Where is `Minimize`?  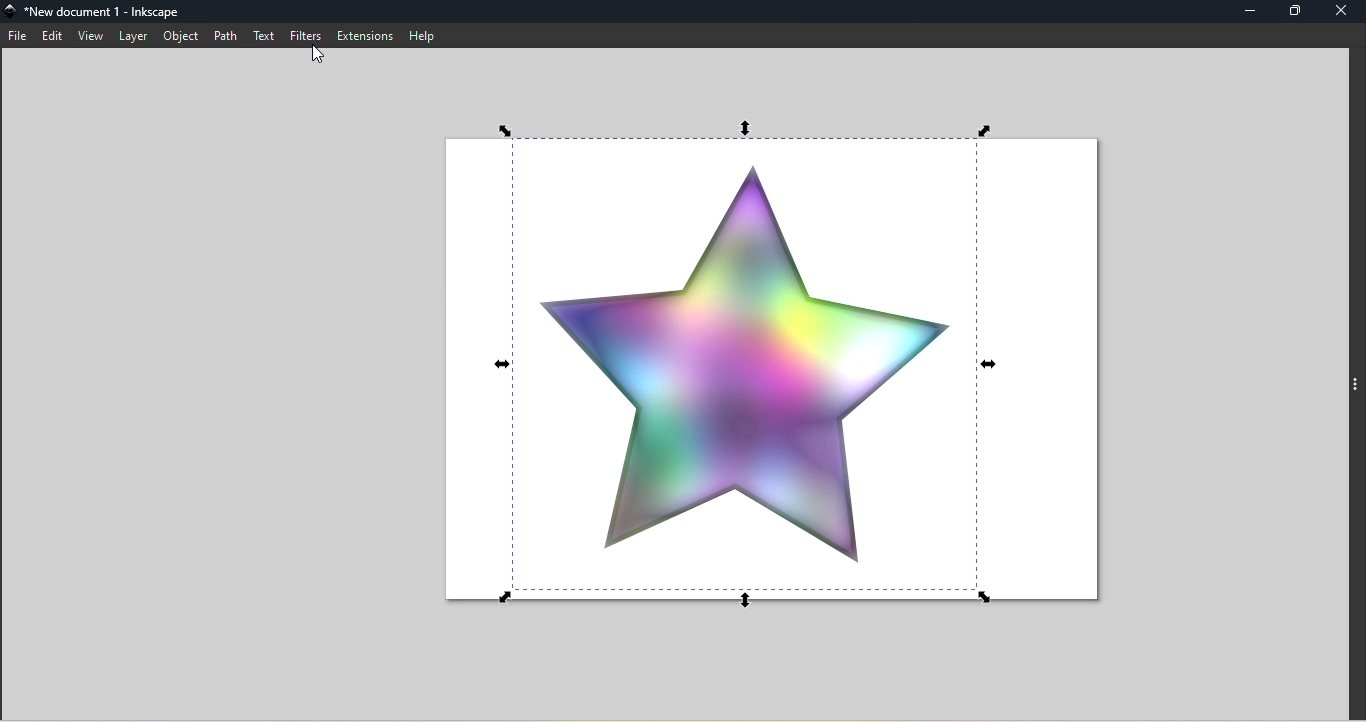
Minimize is located at coordinates (1252, 12).